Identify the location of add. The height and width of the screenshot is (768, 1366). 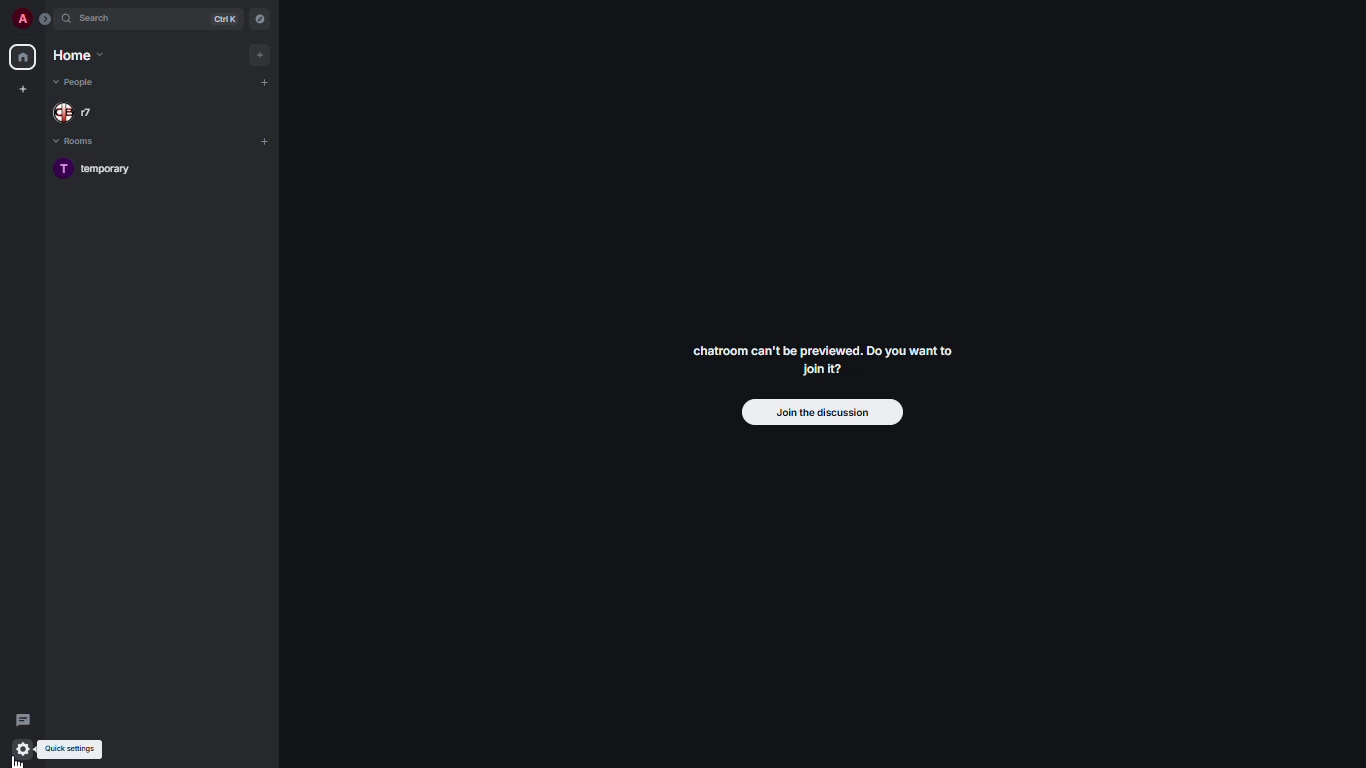
(262, 82).